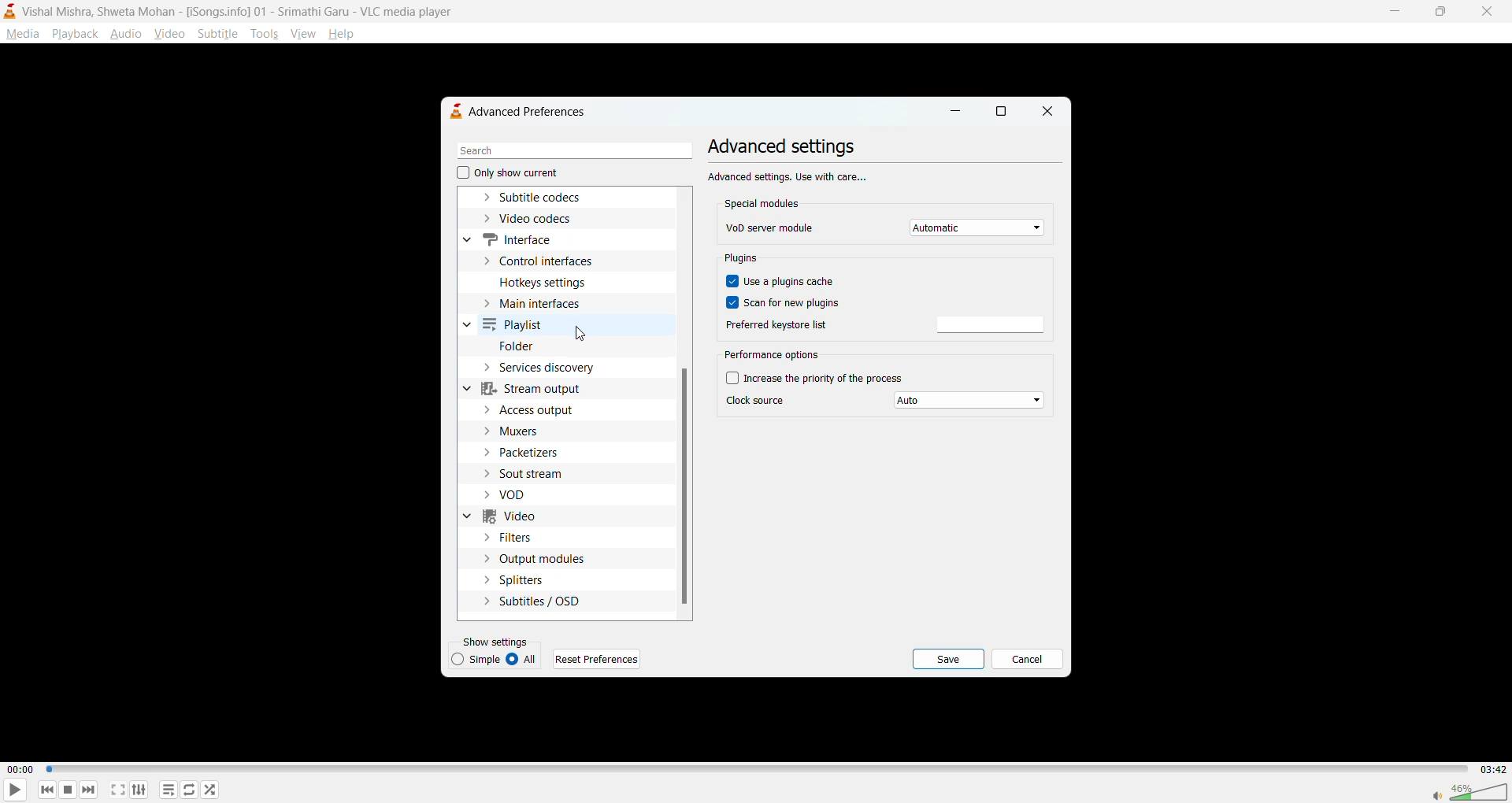 Image resolution: width=1512 pixels, height=803 pixels. What do you see at coordinates (498, 641) in the screenshot?
I see `show settings` at bounding box center [498, 641].